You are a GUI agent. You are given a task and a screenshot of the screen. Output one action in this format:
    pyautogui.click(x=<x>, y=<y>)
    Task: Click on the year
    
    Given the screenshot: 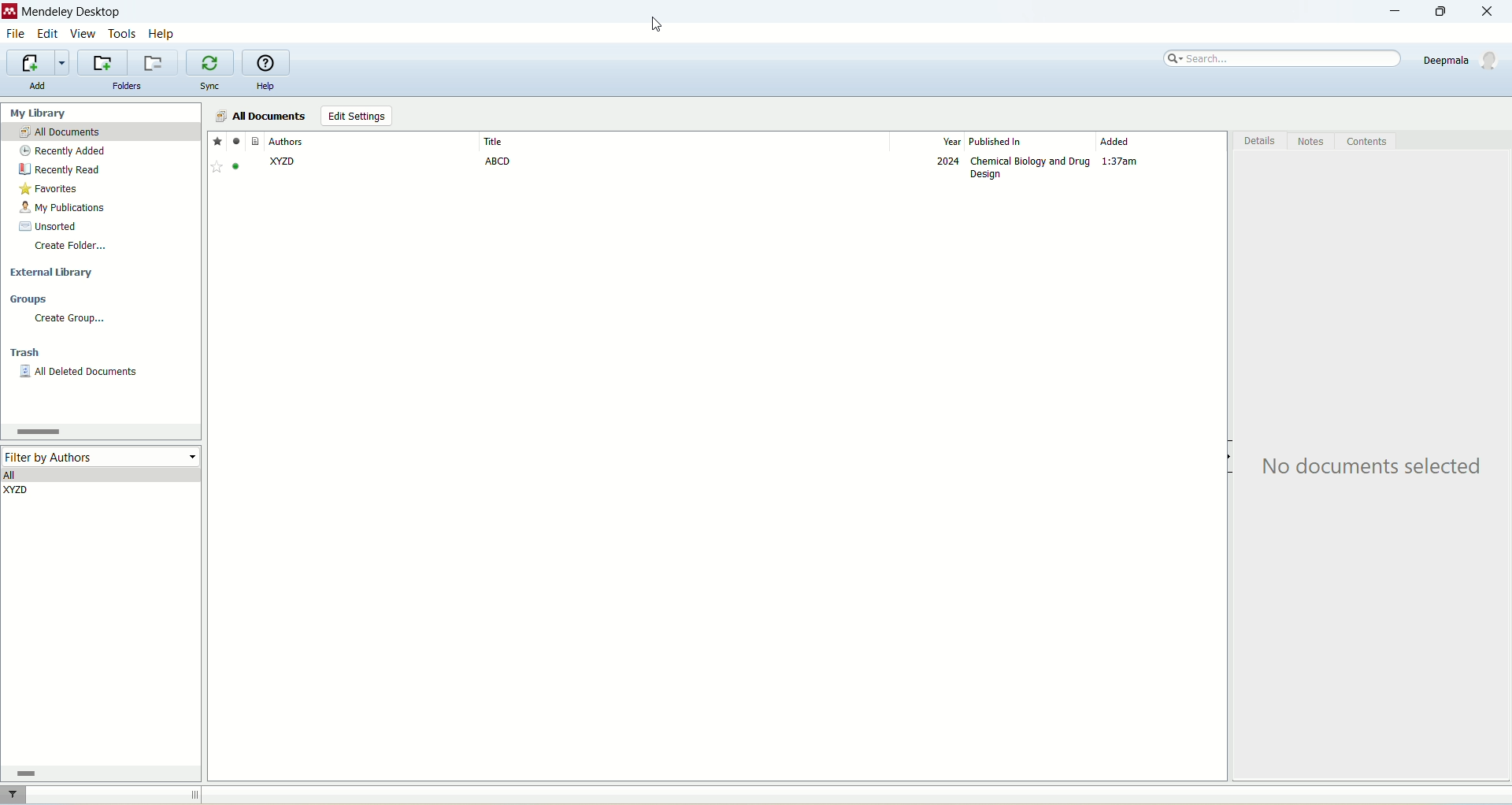 What is the action you would take?
    pyautogui.click(x=932, y=142)
    